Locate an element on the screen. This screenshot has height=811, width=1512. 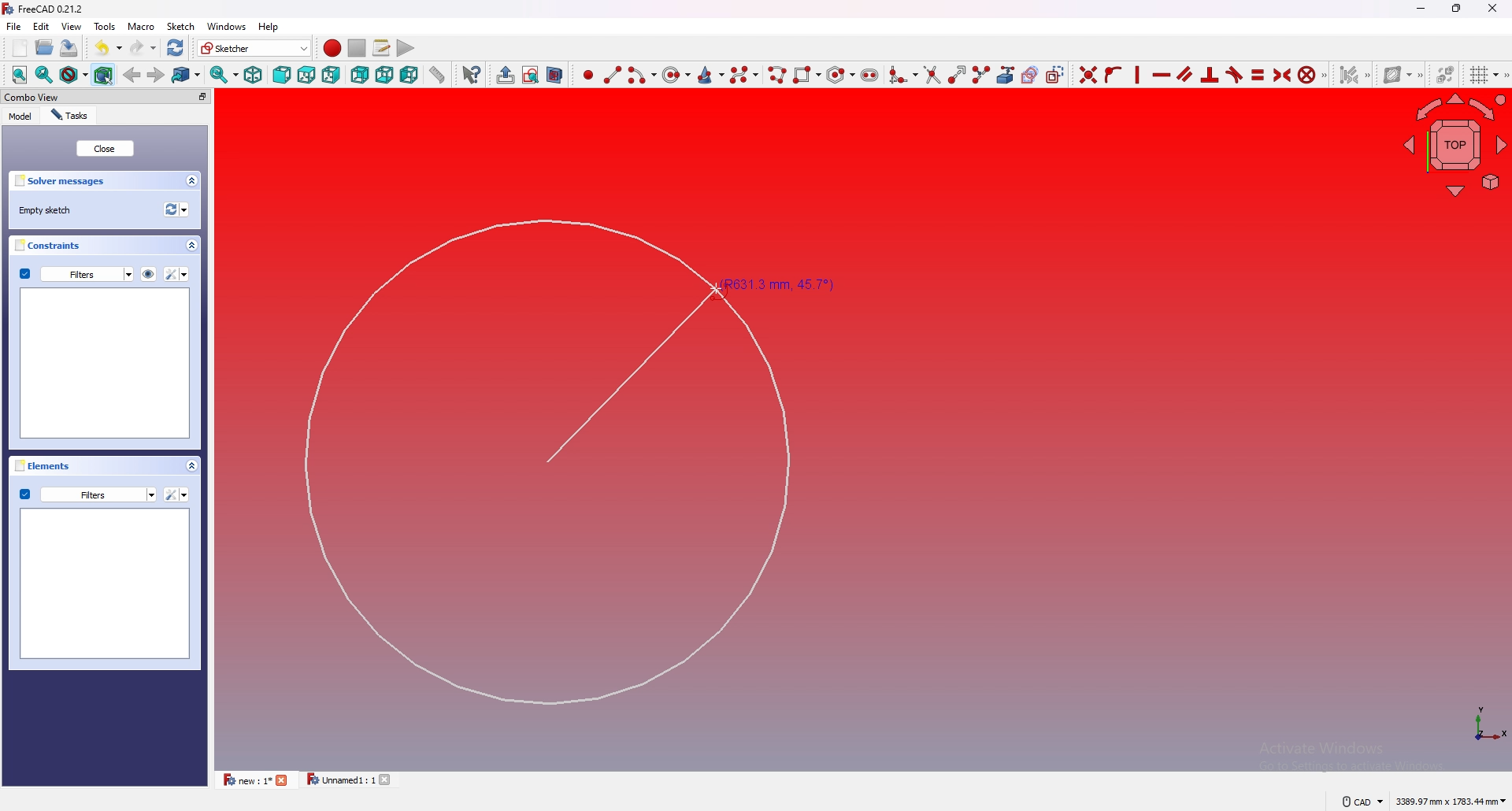
pop out is located at coordinates (202, 97).